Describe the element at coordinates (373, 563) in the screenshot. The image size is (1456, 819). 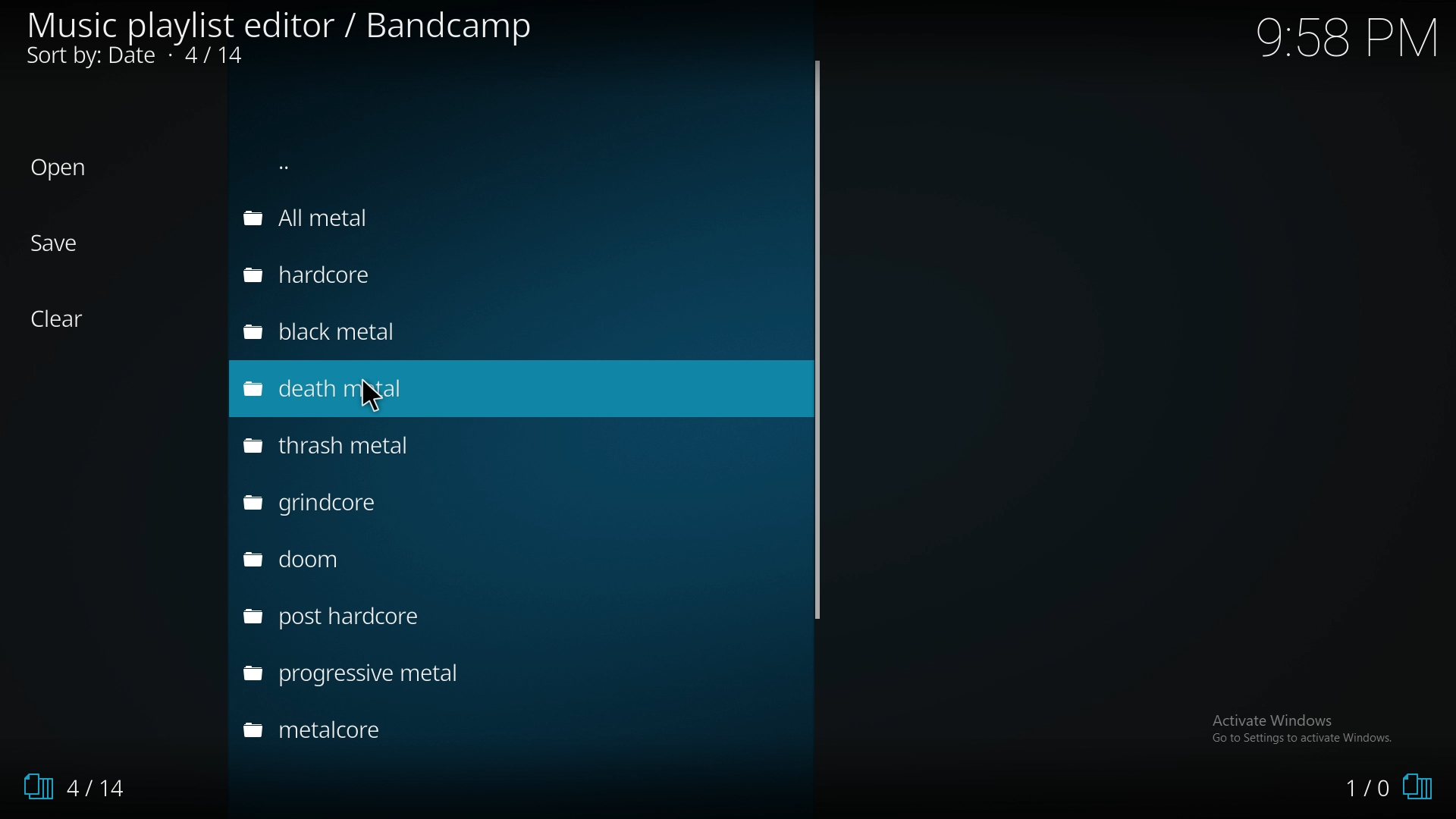
I see `music genre` at that location.